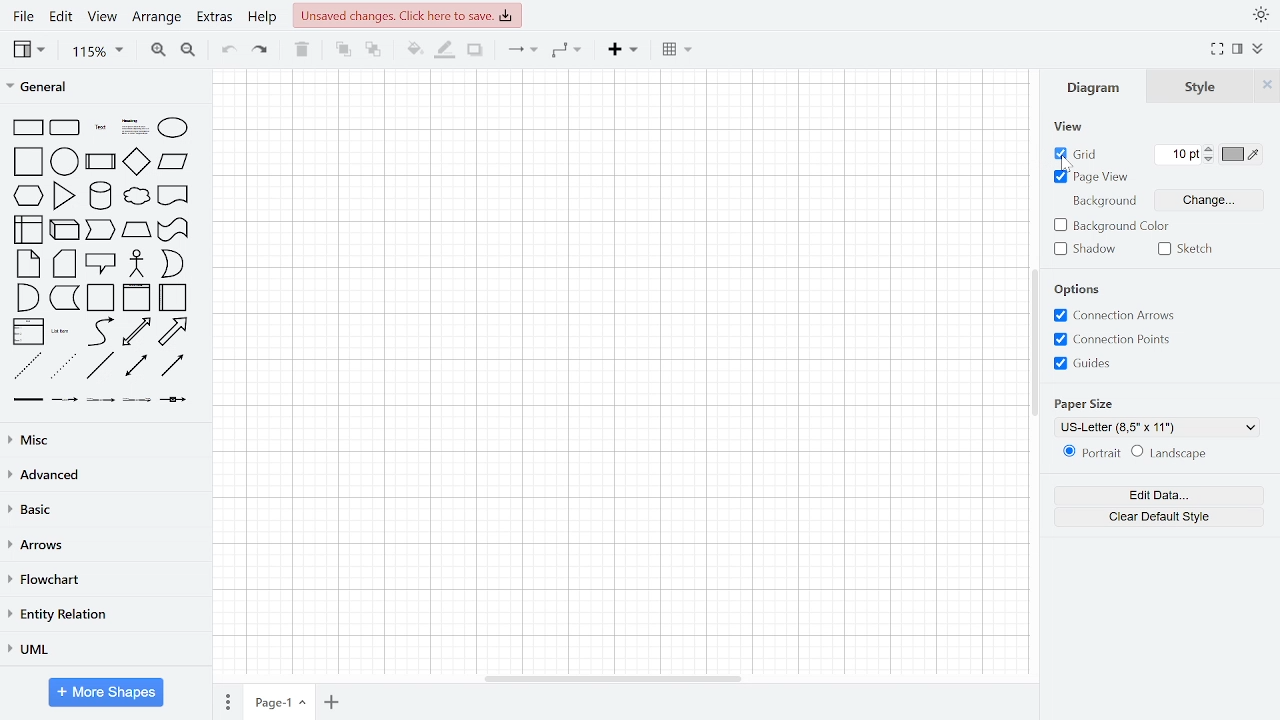  I want to click on help, so click(266, 18).